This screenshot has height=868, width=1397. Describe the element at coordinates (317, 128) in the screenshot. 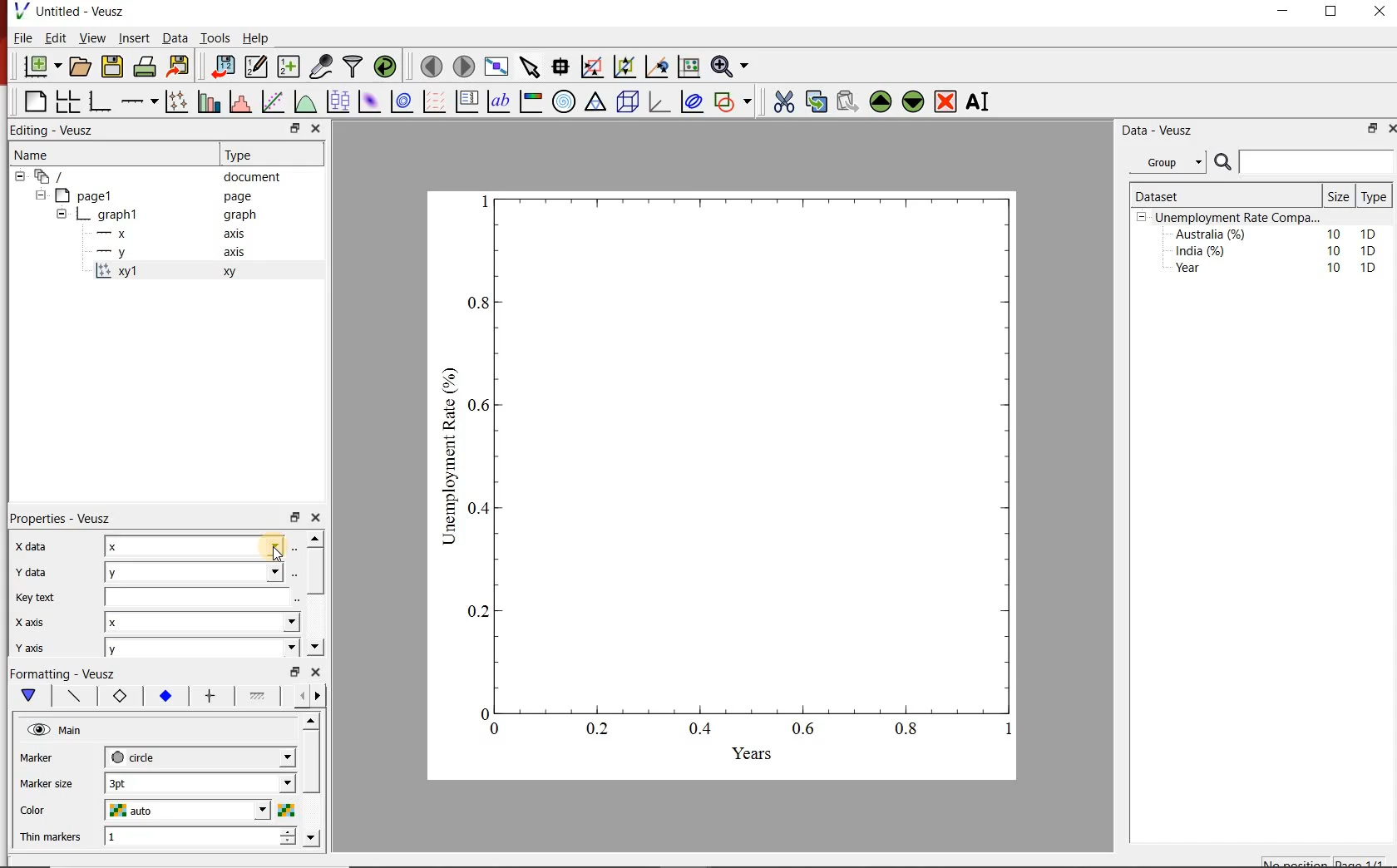

I see `close` at that location.